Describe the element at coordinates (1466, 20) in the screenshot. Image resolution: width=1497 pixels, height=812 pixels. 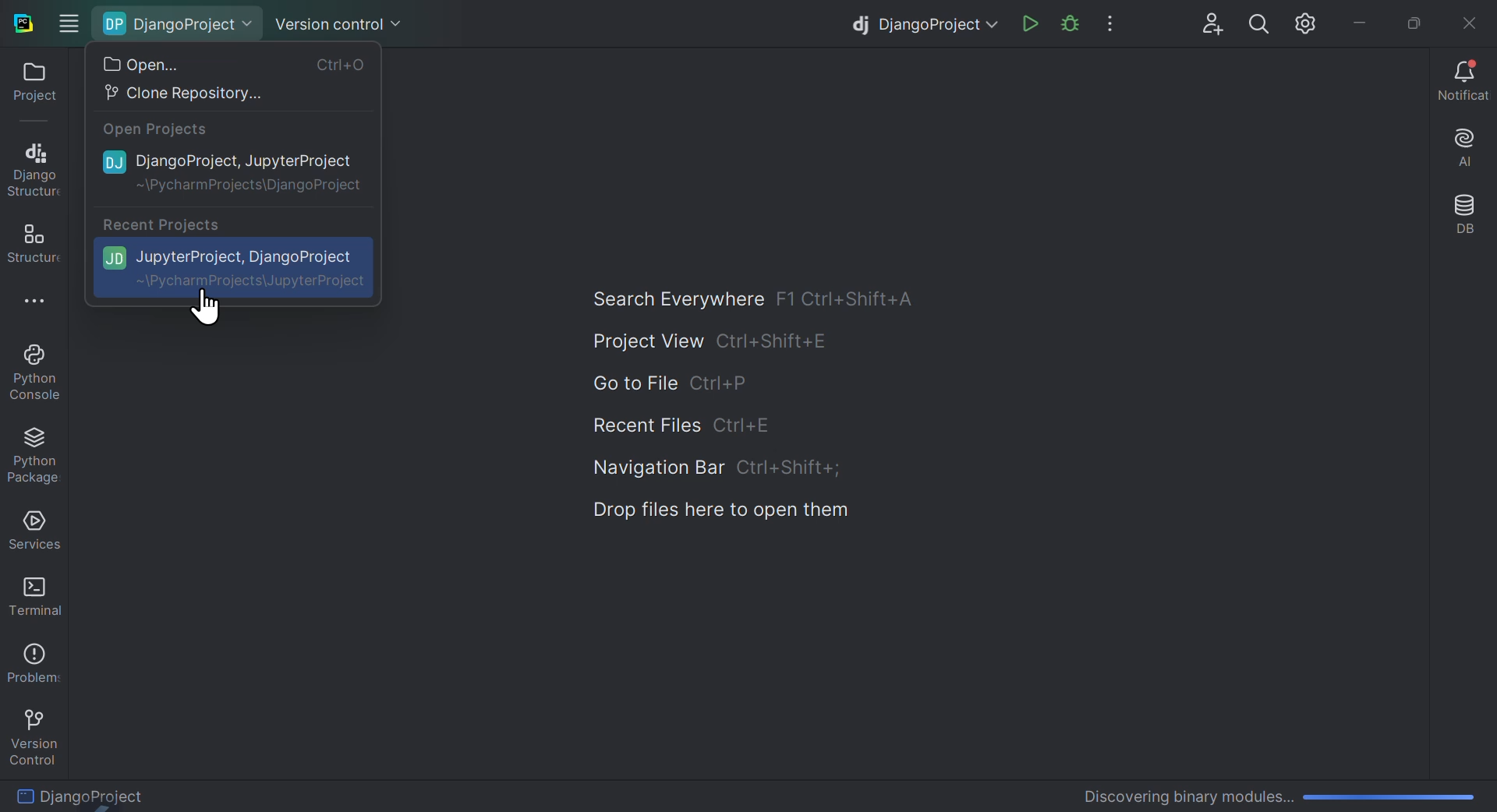
I see `Close` at that location.